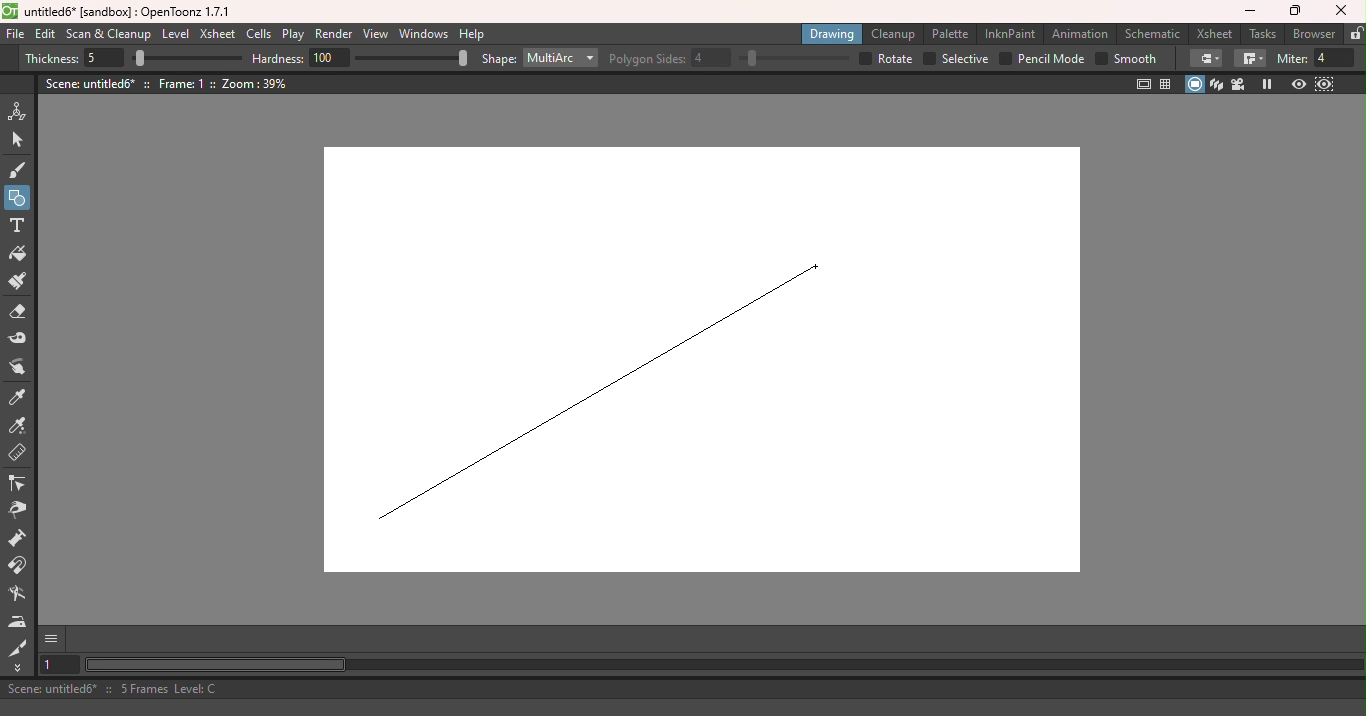 The image size is (1366, 716). Describe the element at coordinates (957, 58) in the screenshot. I see `Selective` at that location.